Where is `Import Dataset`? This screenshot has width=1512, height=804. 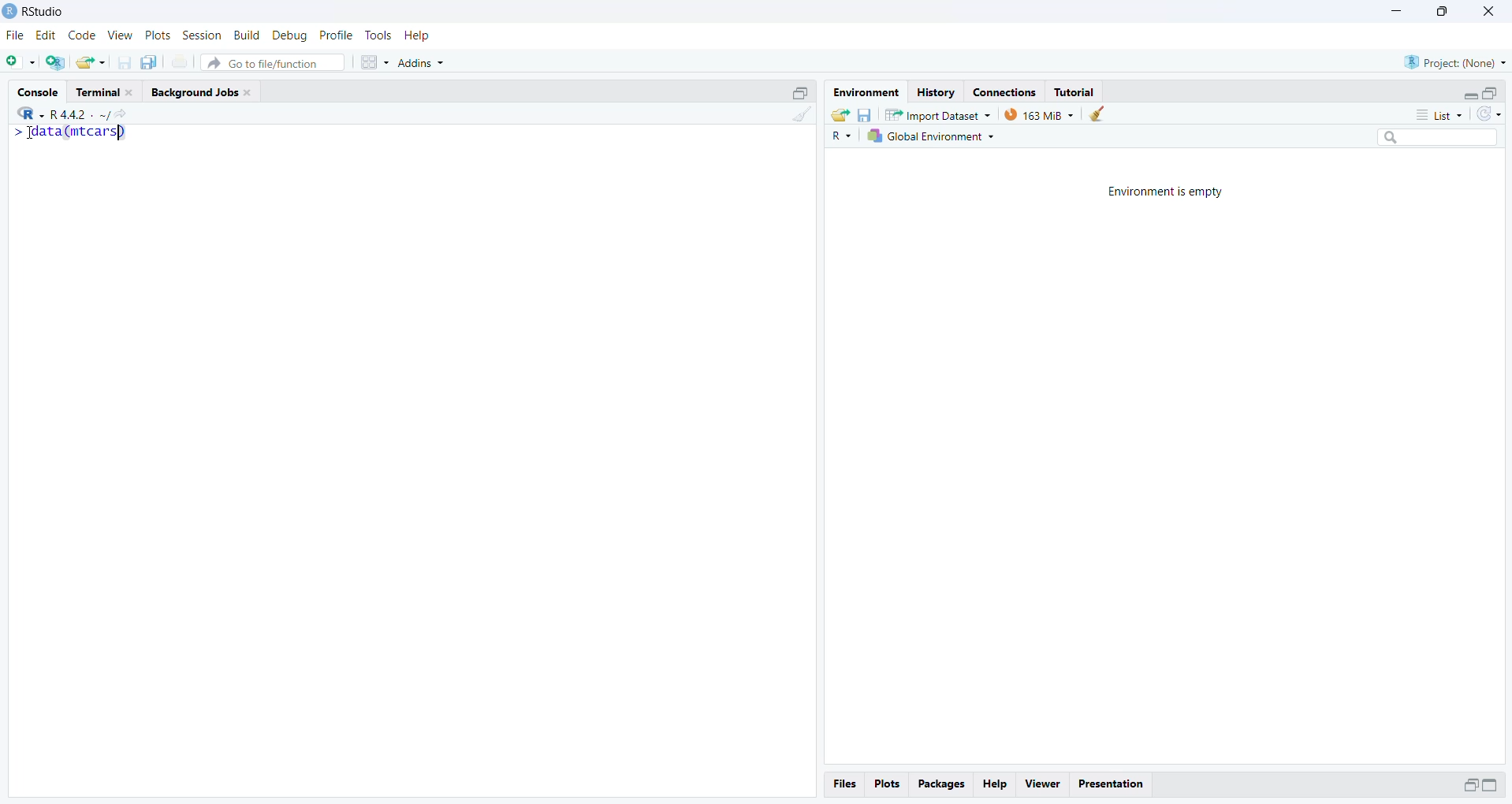 Import Dataset is located at coordinates (939, 114).